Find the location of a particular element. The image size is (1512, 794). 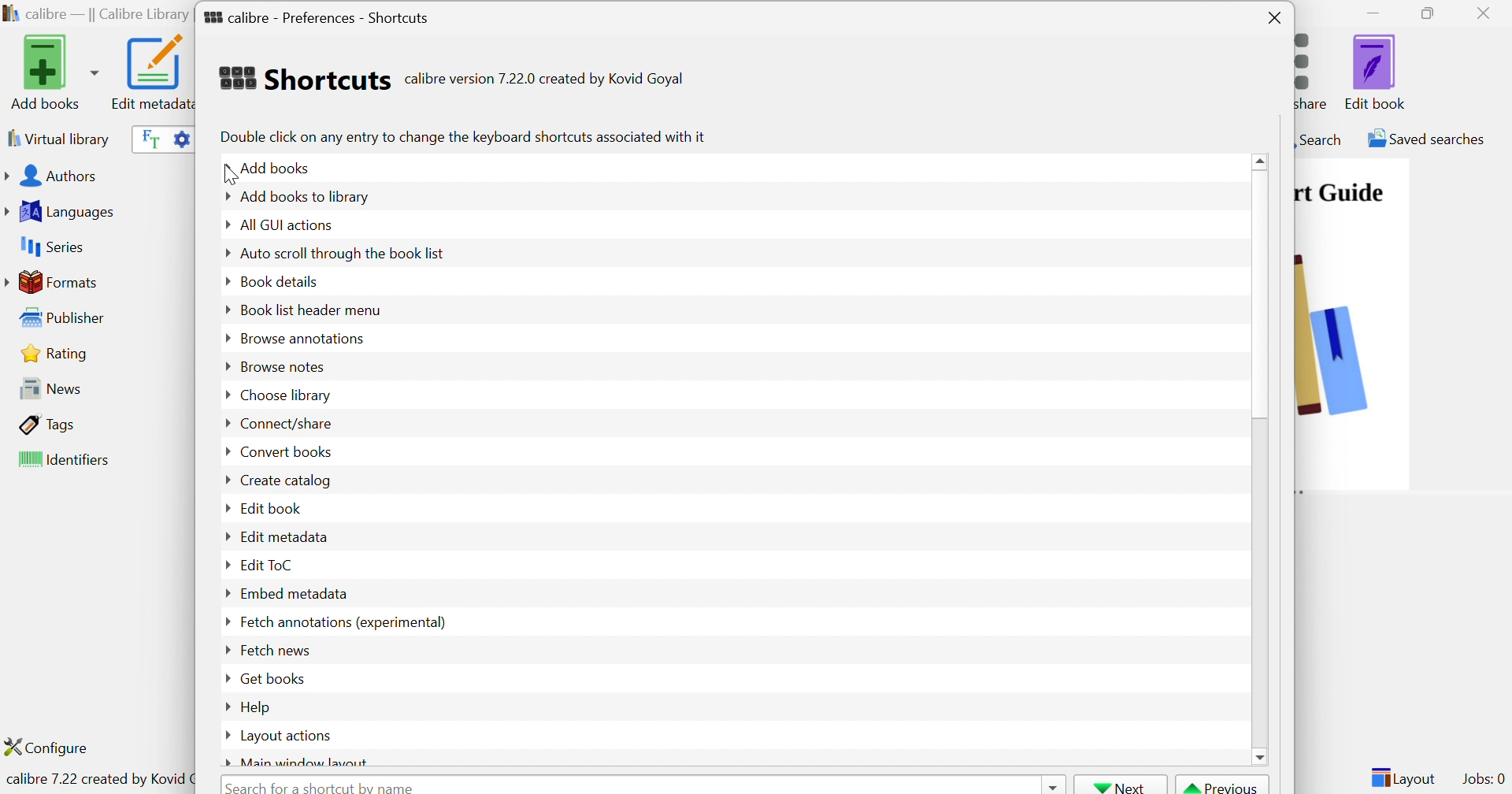

Drop Down is located at coordinates (225, 678).